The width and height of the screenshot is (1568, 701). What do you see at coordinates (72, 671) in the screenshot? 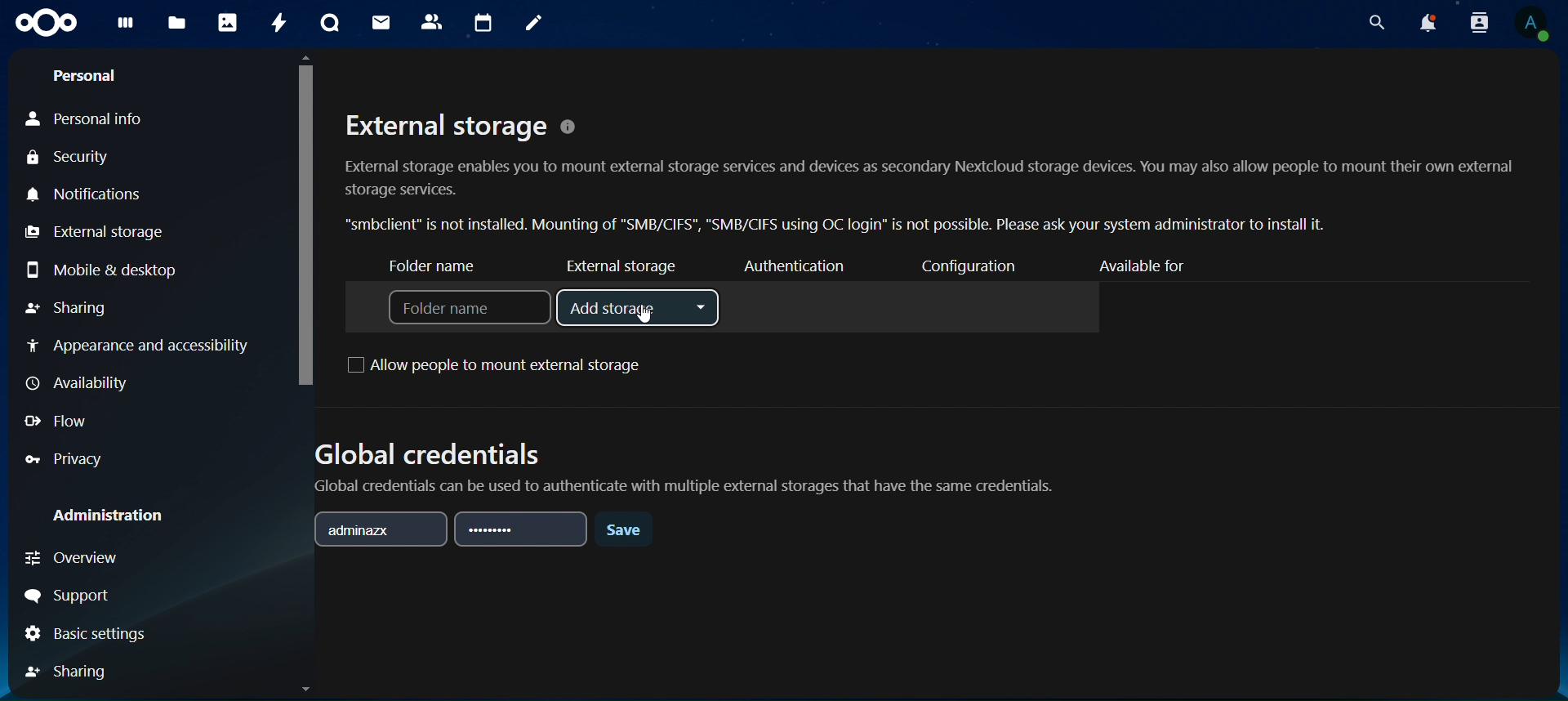
I see `sharing` at bounding box center [72, 671].